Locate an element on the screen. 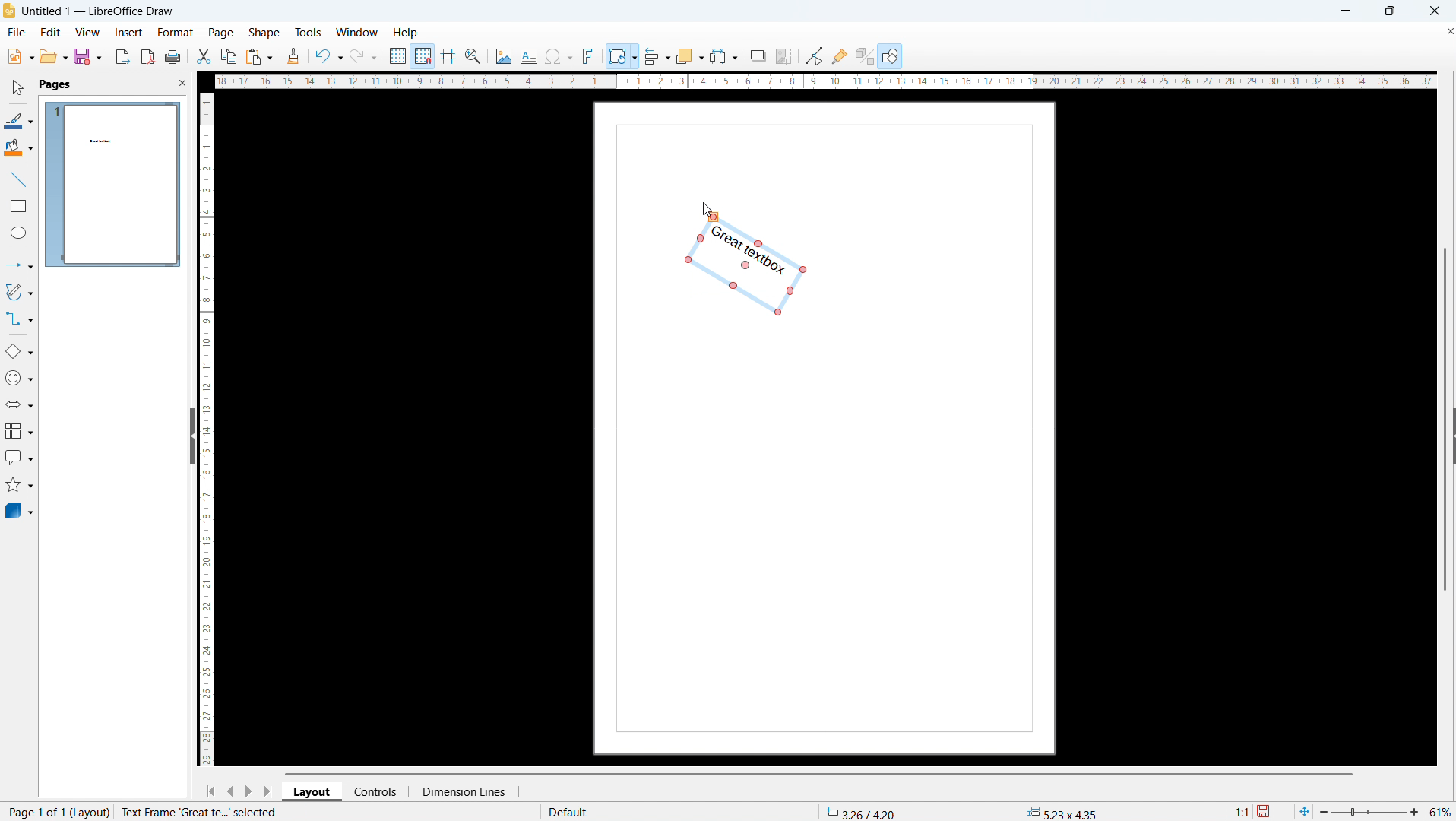 The image size is (1456, 821). default page style is located at coordinates (566, 812).